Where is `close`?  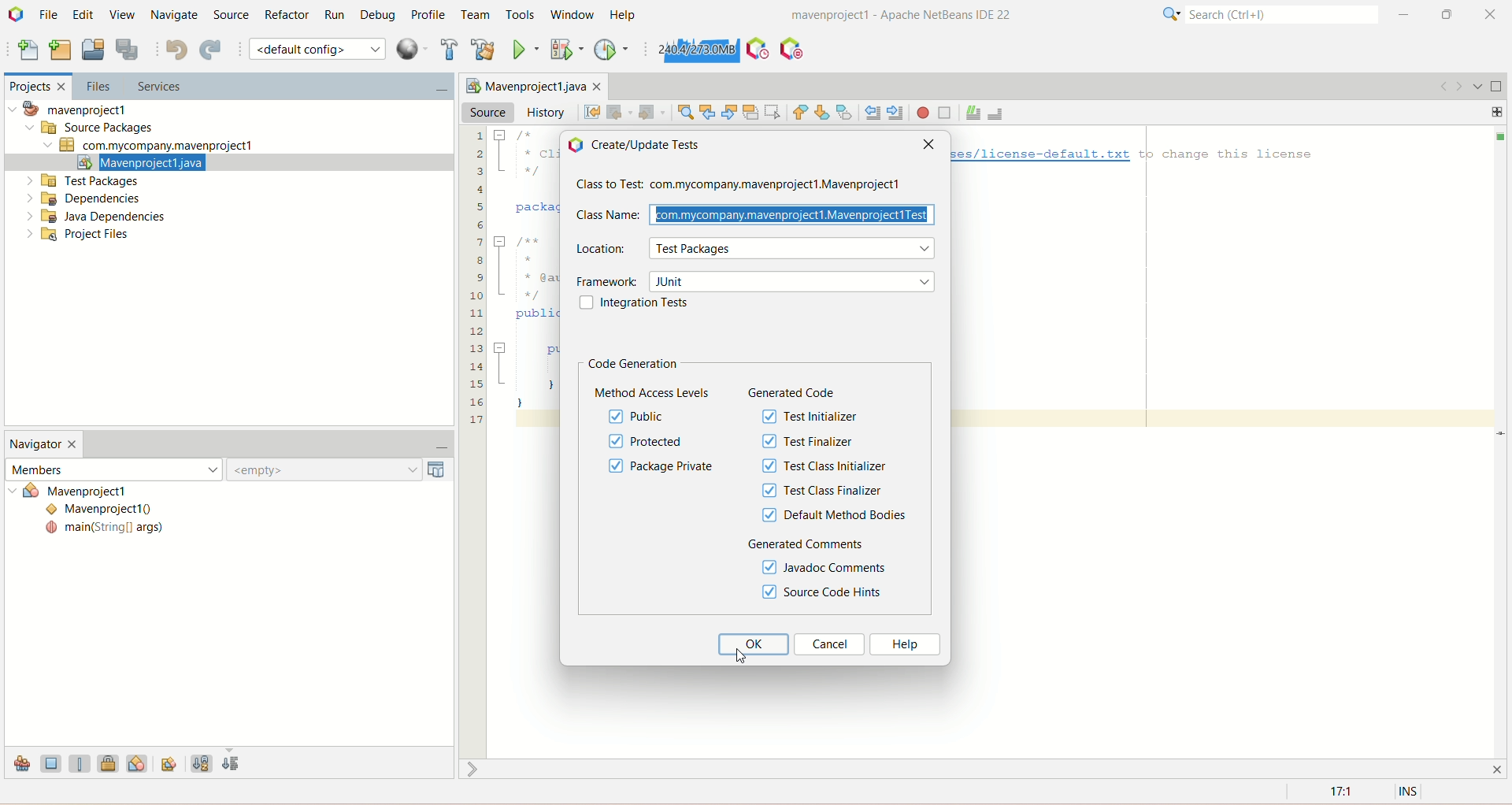
close is located at coordinates (1494, 13).